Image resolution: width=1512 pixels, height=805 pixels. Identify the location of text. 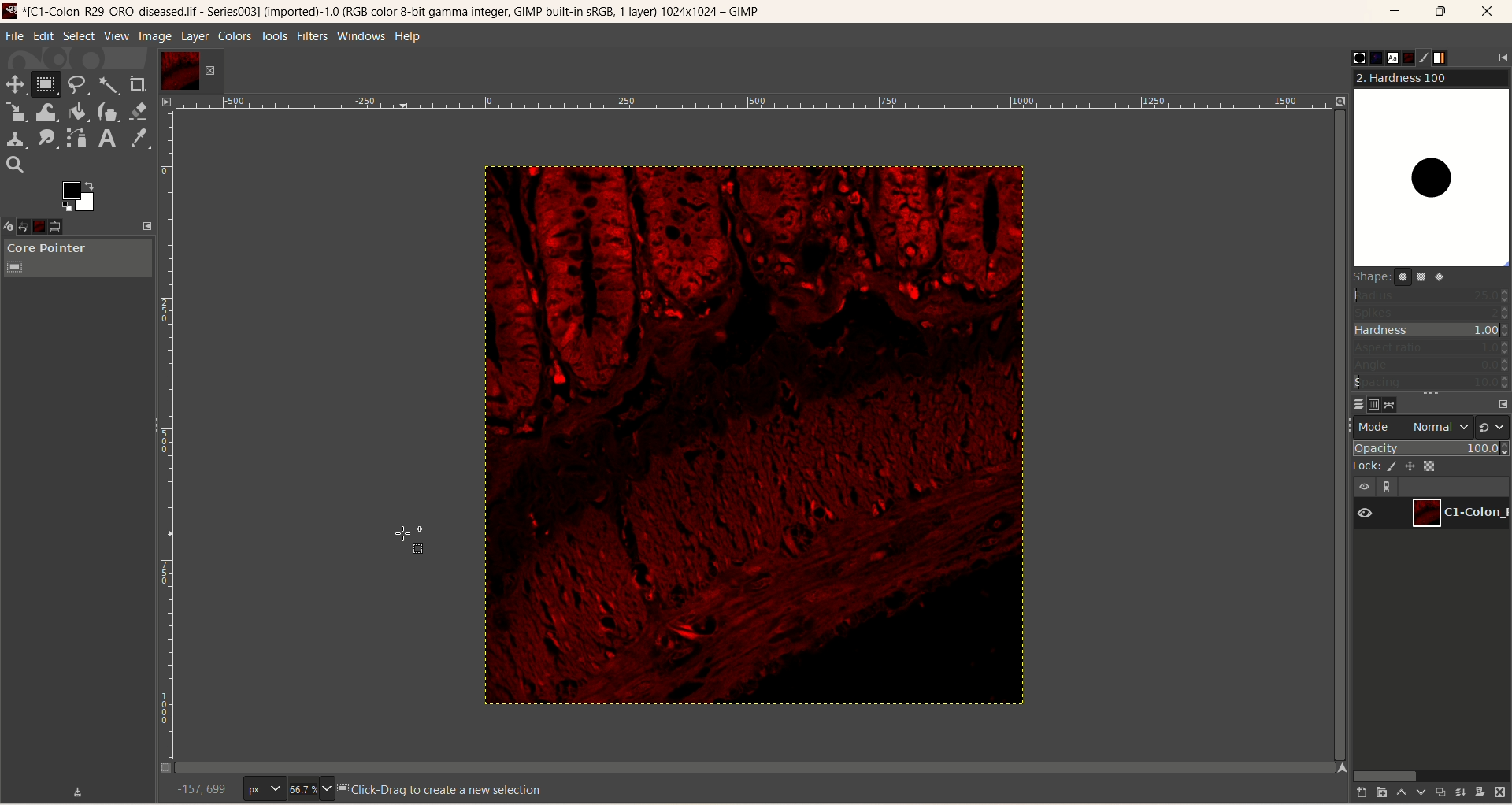
(442, 788).